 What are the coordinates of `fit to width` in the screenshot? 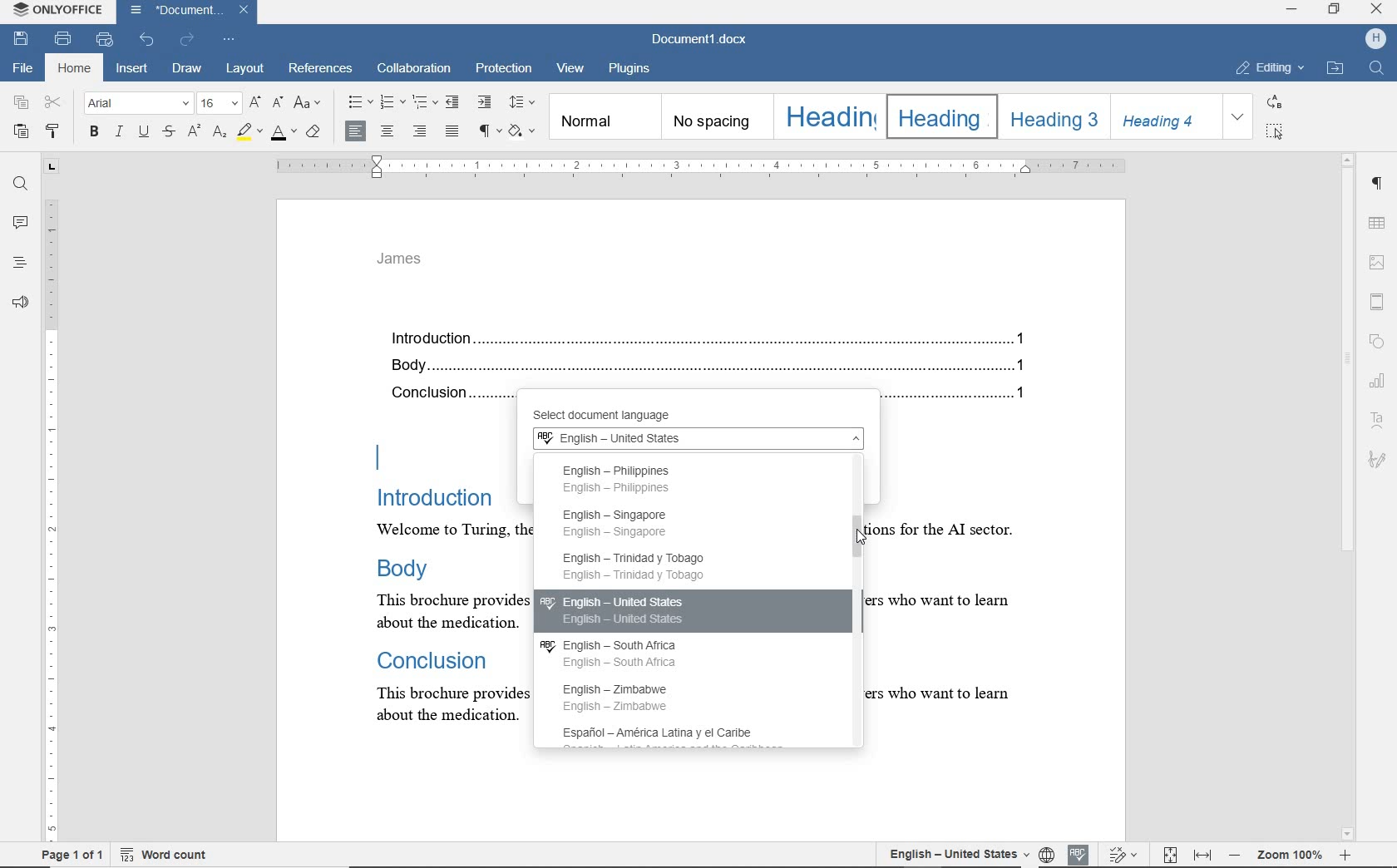 It's located at (1204, 856).